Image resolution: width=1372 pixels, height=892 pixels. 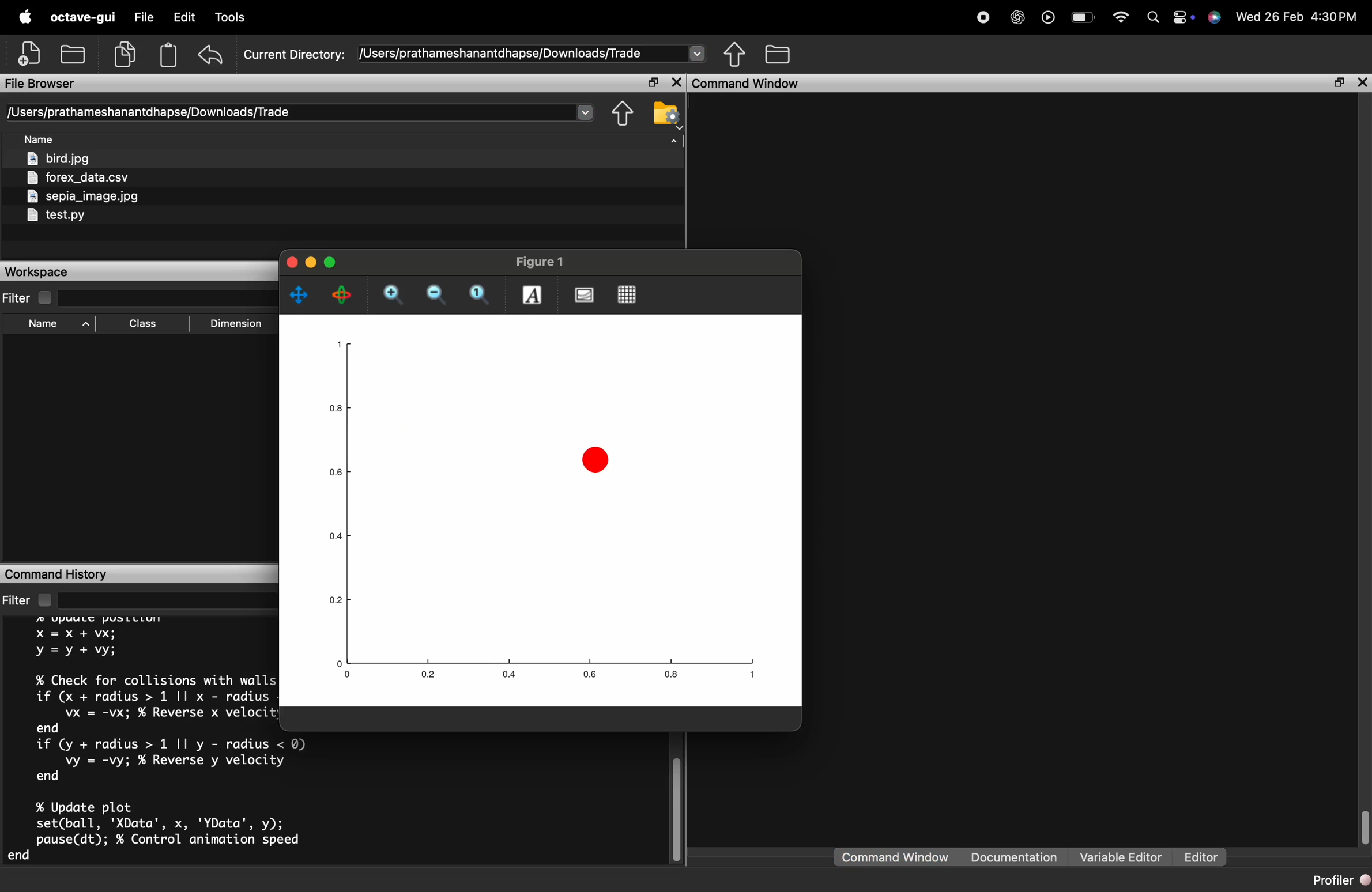 What do you see at coordinates (583, 295) in the screenshot?
I see `Toggle current axes visibility` at bounding box center [583, 295].